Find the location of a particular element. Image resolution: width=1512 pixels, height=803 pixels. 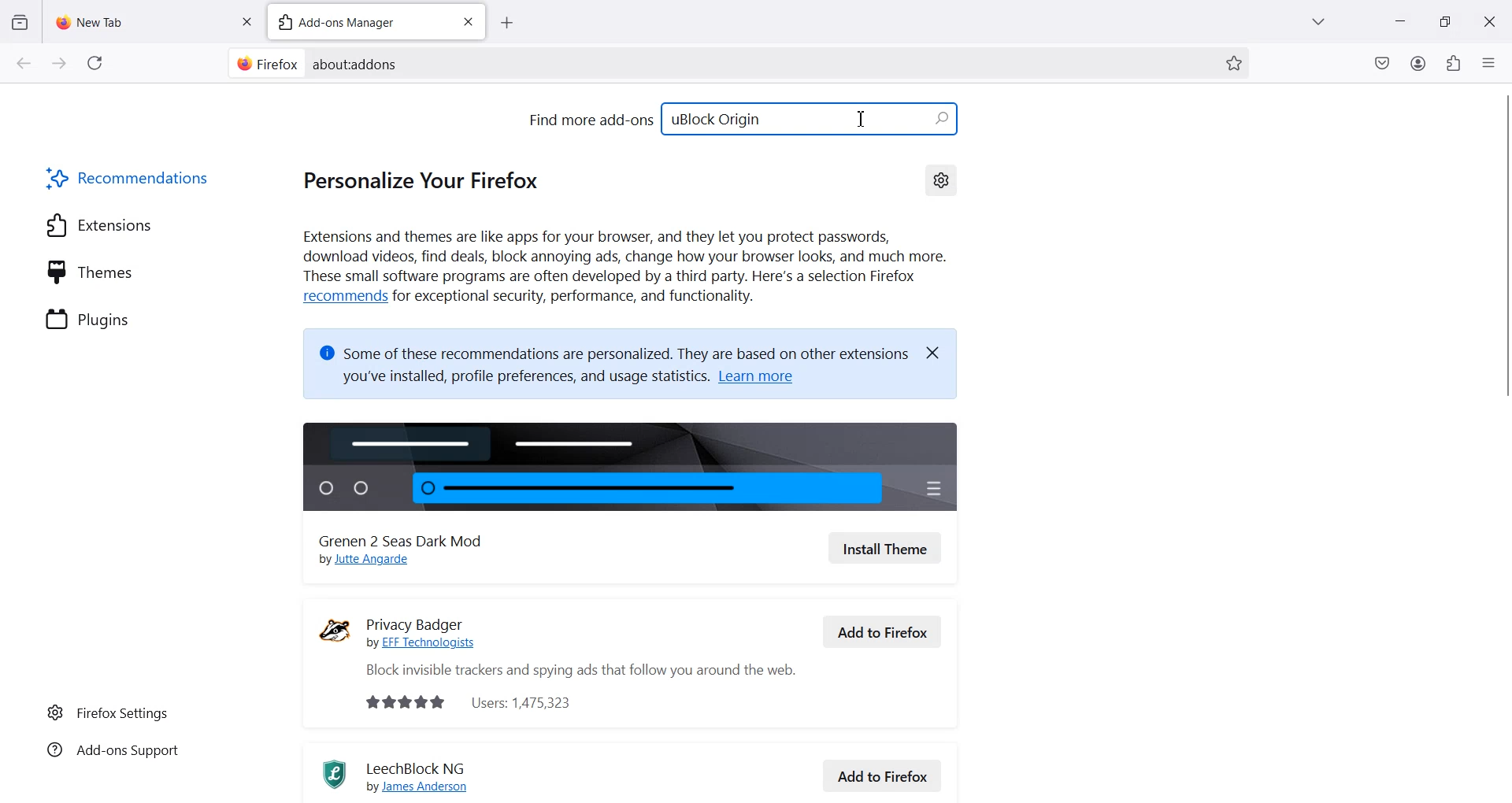

by Jutte Angarde is located at coordinates (373, 561).